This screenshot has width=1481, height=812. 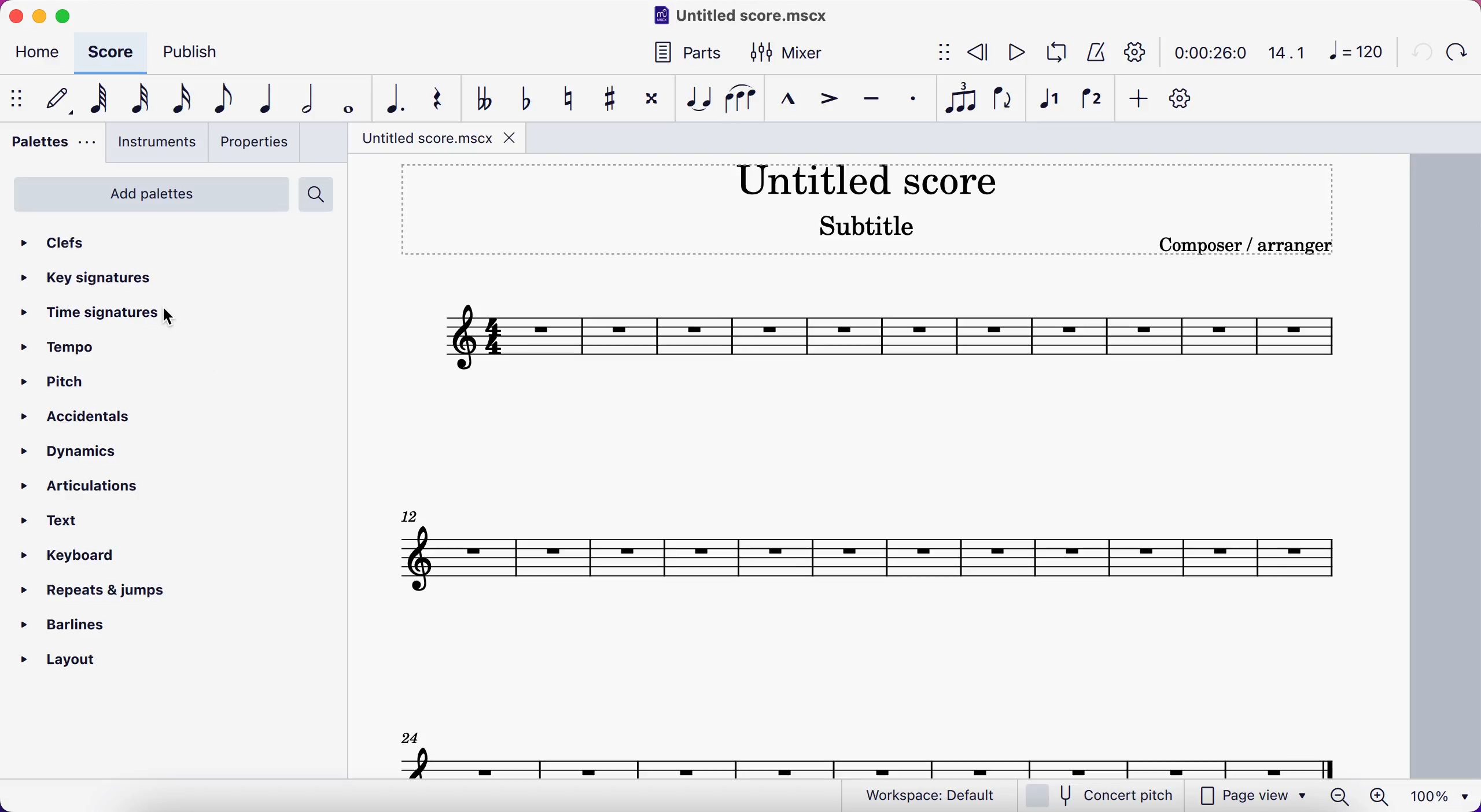 What do you see at coordinates (922, 793) in the screenshot?
I see `workspace: default` at bounding box center [922, 793].